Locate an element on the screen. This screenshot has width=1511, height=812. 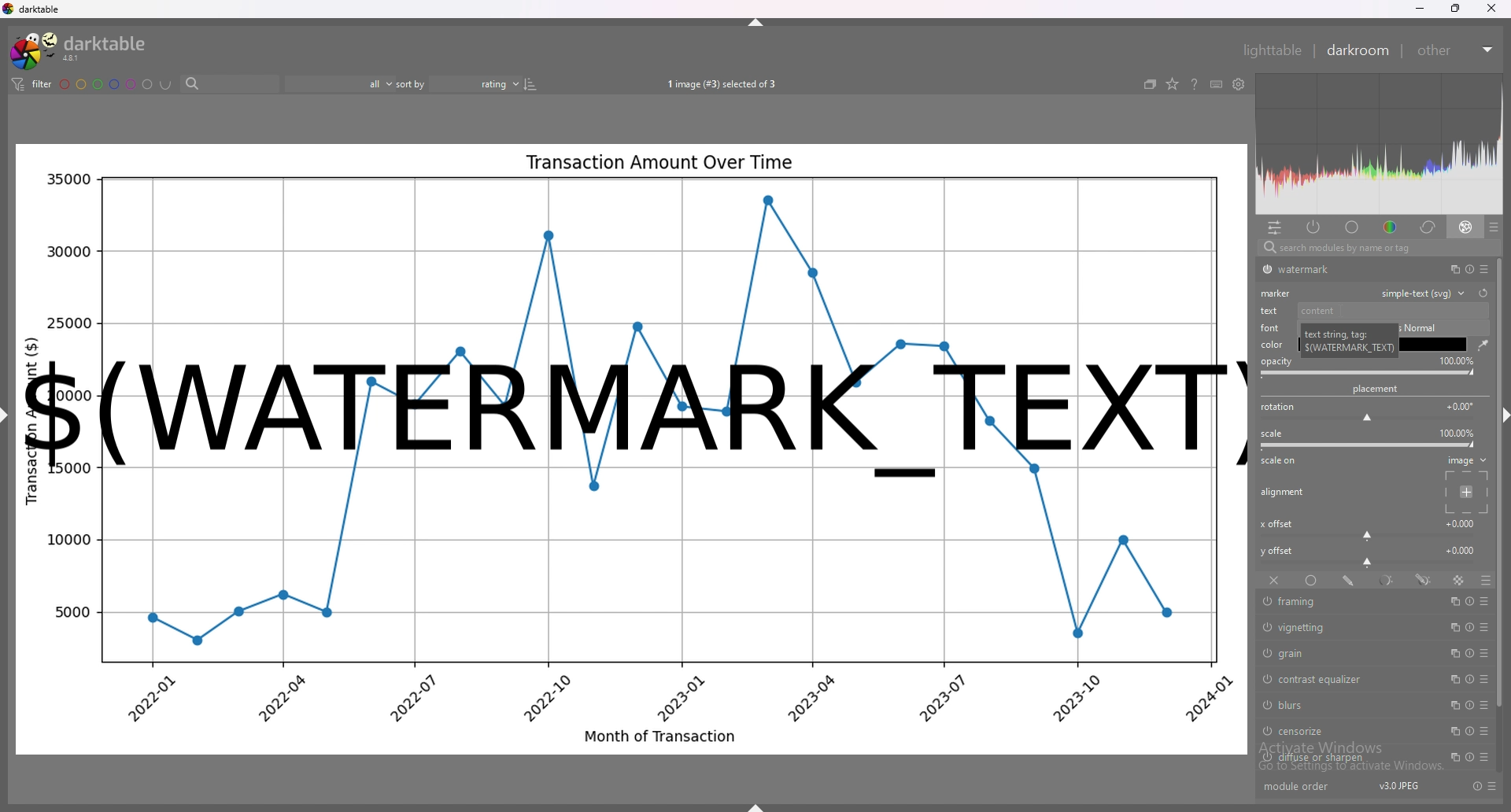
presets is located at coordinates (1486, 601).